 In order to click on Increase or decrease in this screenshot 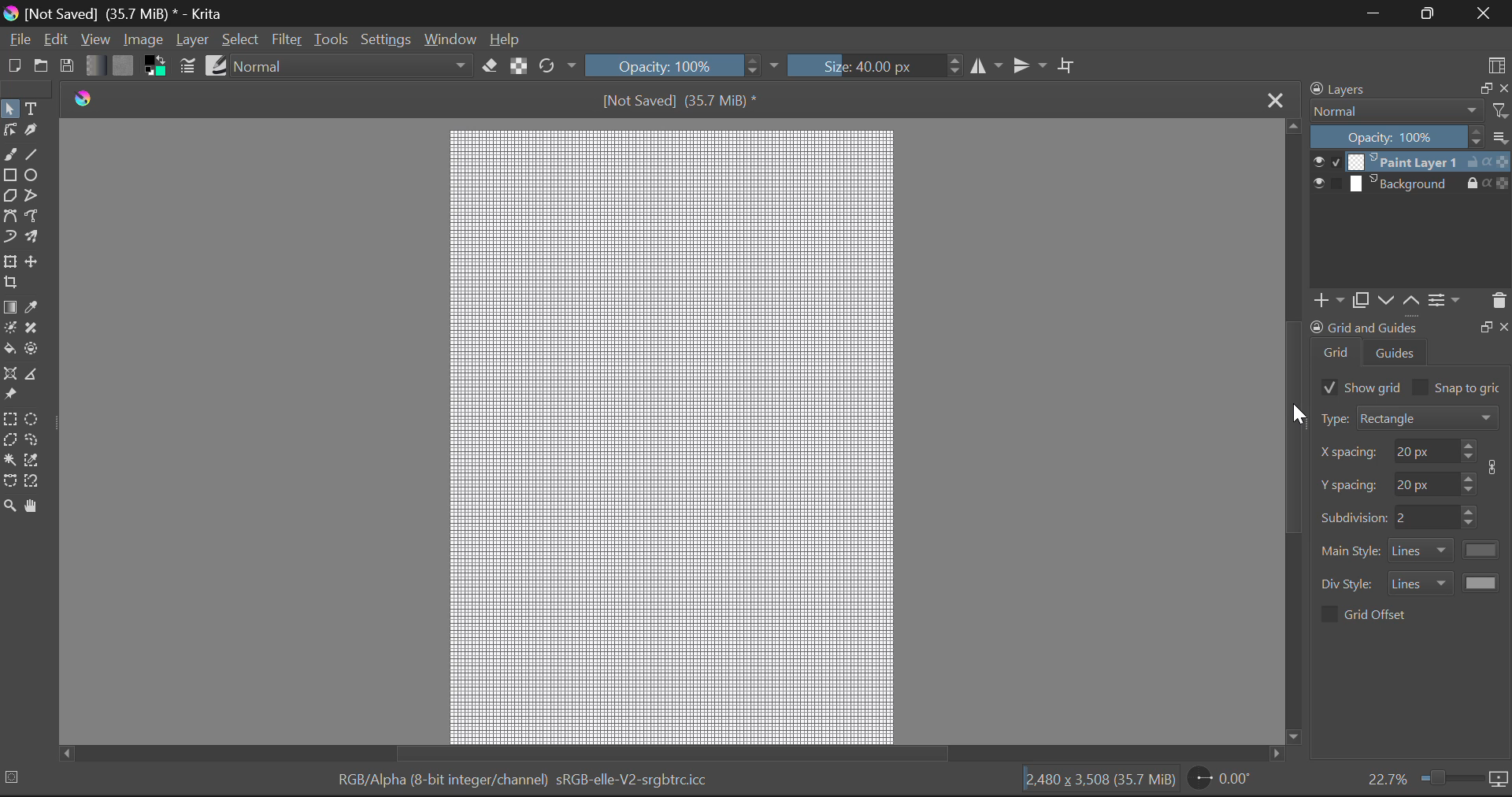, I will do `click(1469, 450)`.